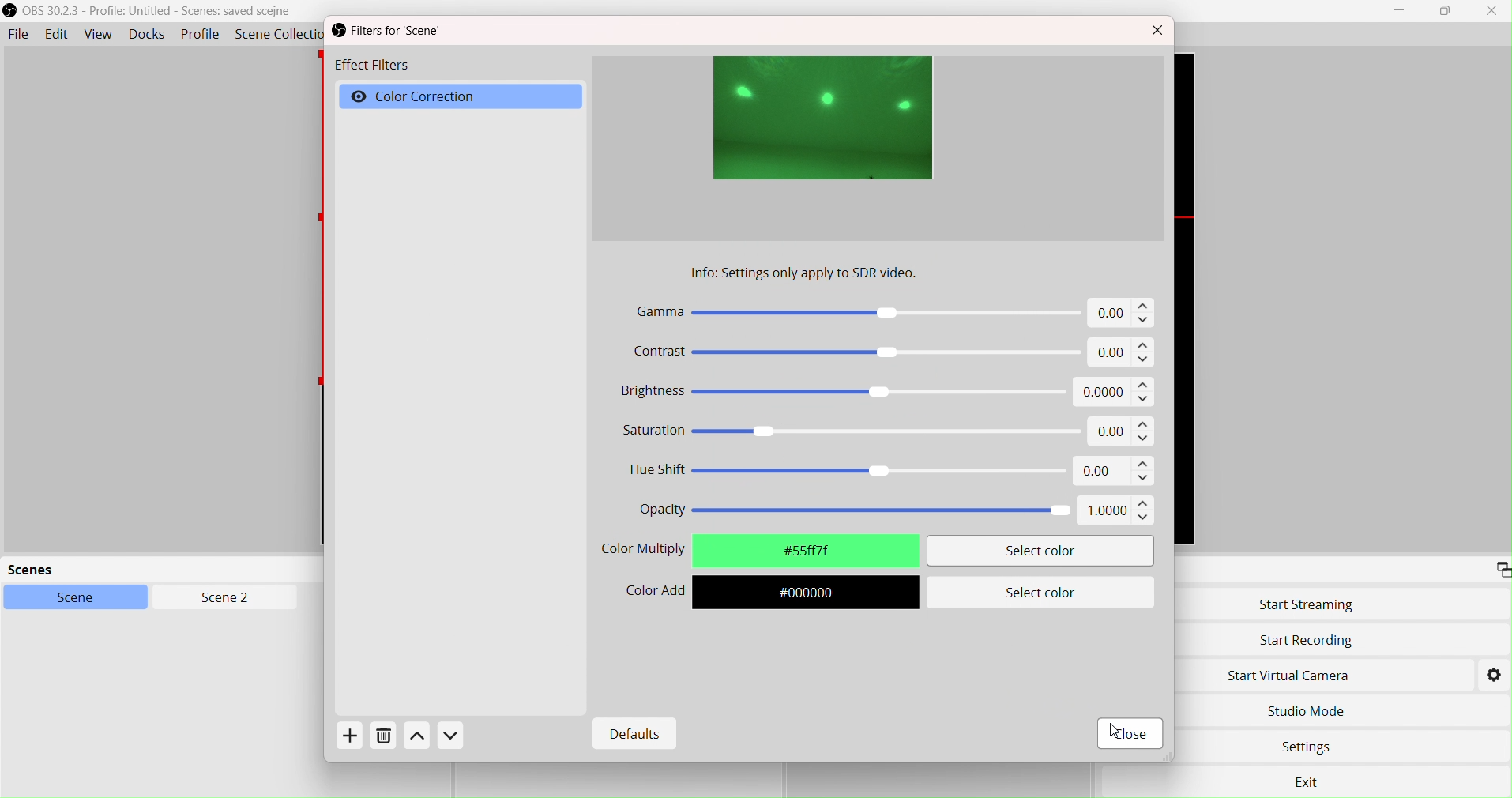  Describe the element at coordinates (1310, 749) in the screenshot. I see `Settings` at that location.